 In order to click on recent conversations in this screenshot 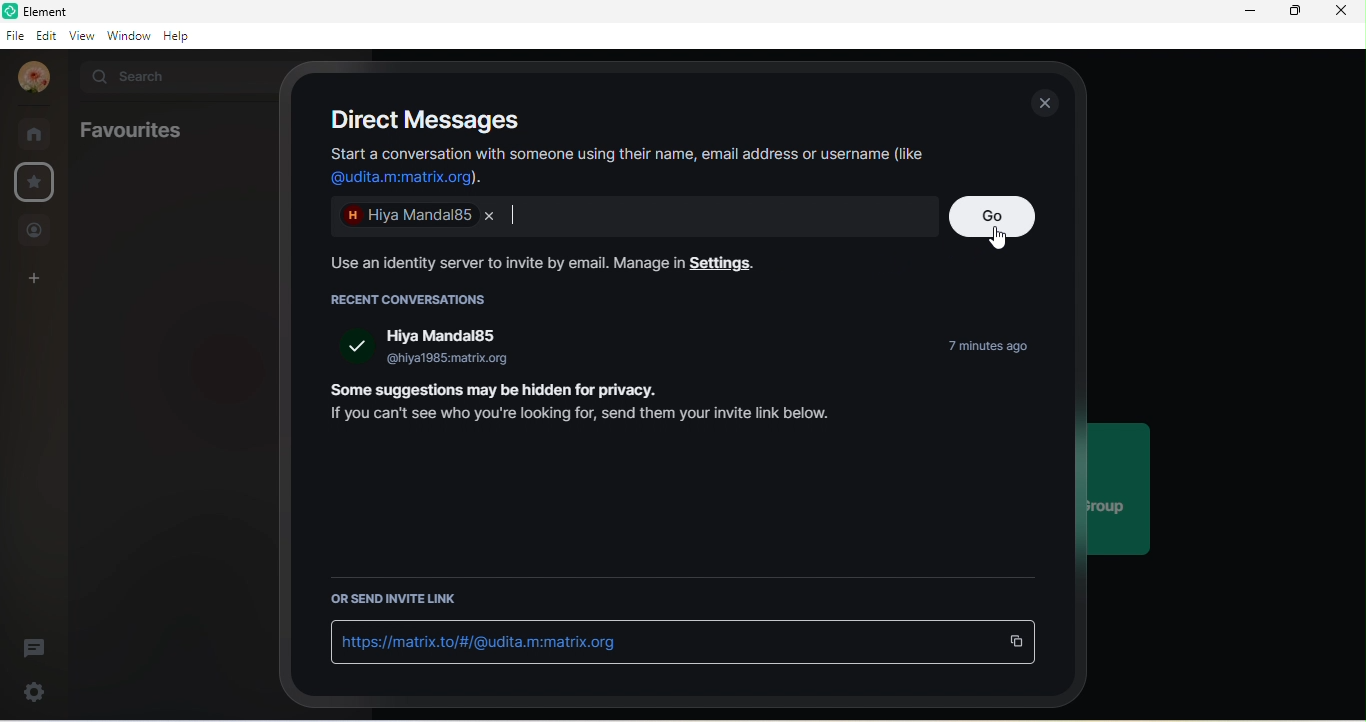, I will do `click(415, 299)`.